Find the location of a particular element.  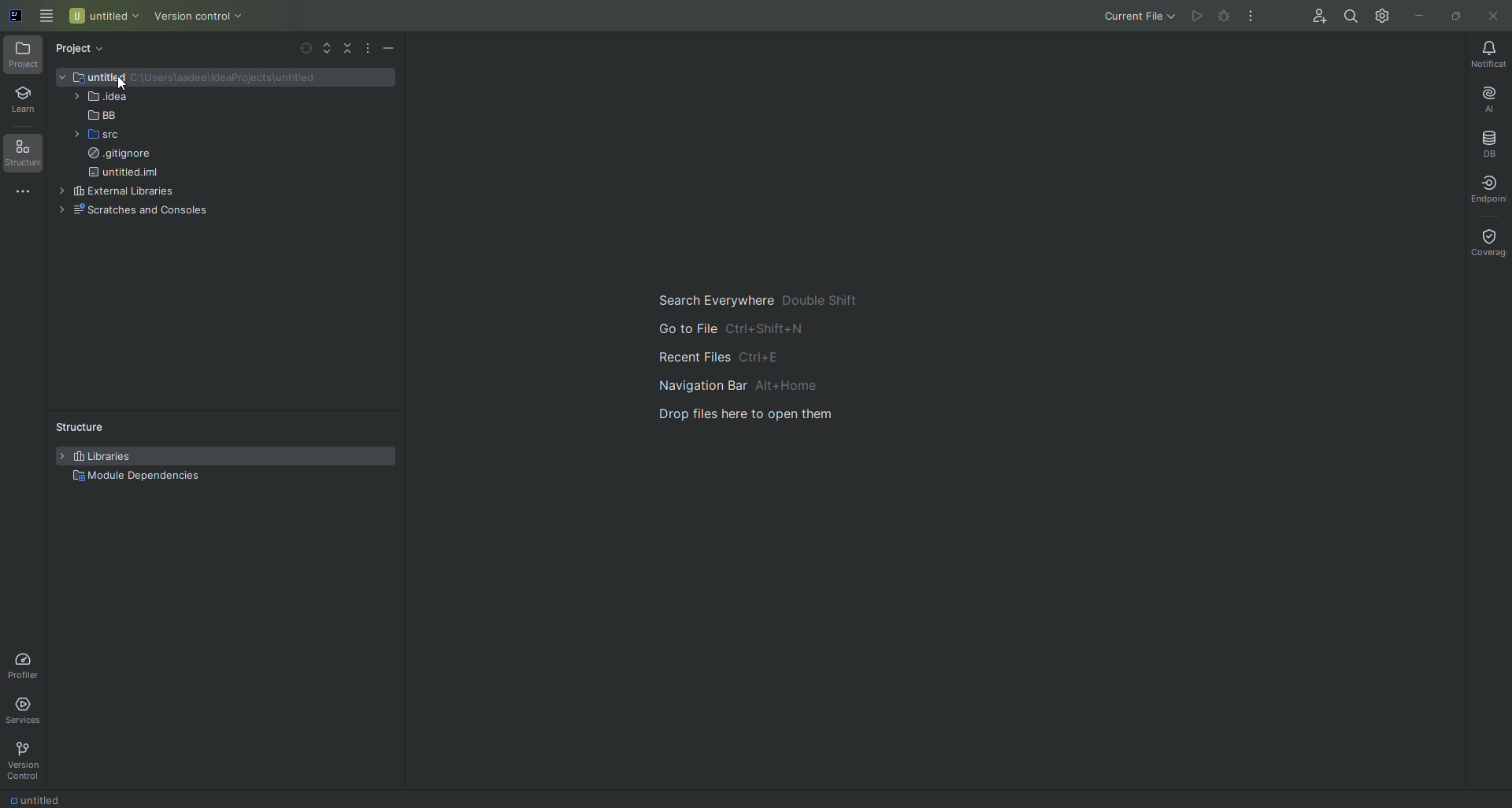

Project is located at coordinates (24, 56).